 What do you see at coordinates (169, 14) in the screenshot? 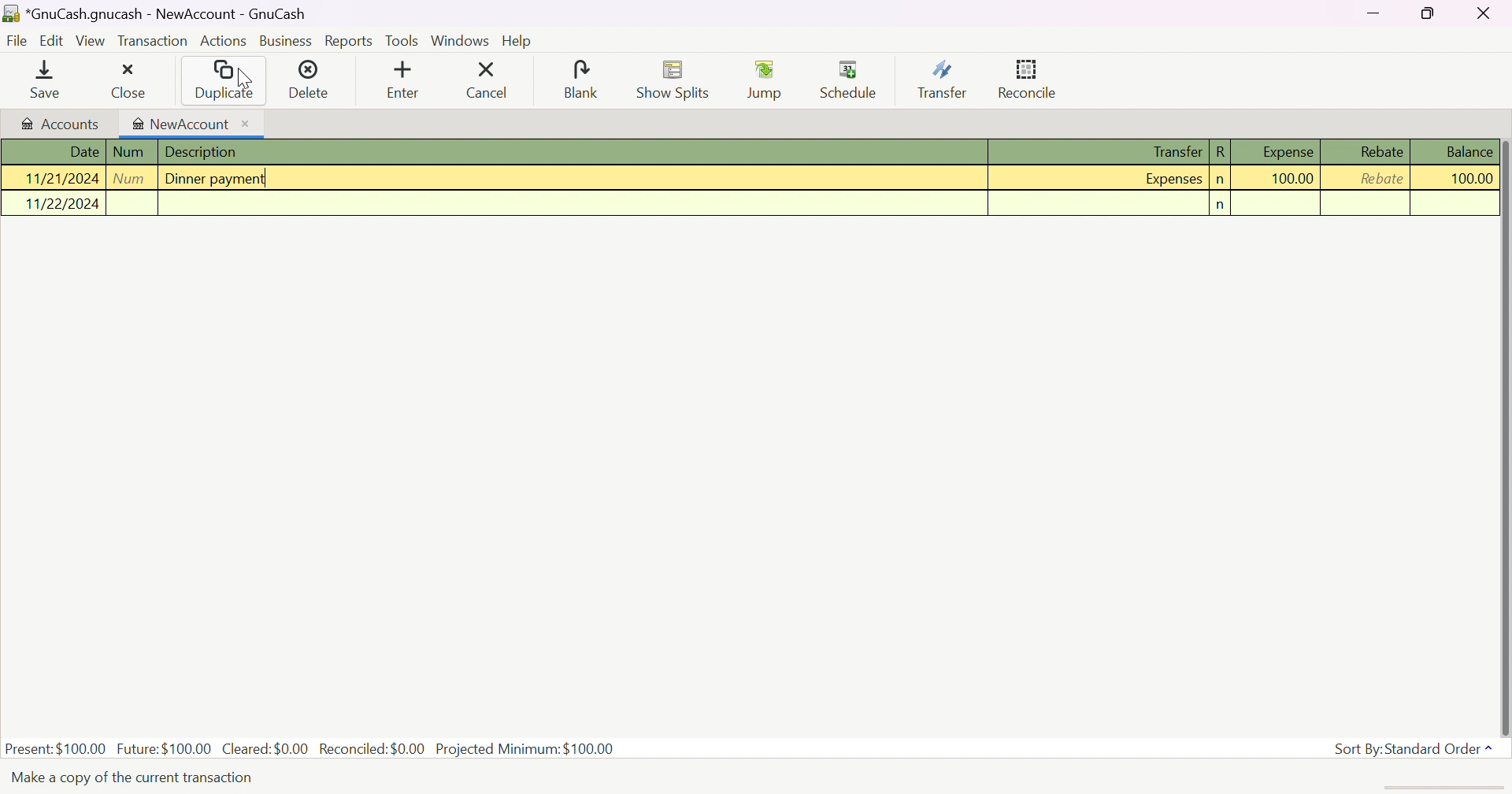
I see `*GnuCash.gnucash - NewAccount - GnuCash` at bounding box center [169, 14].